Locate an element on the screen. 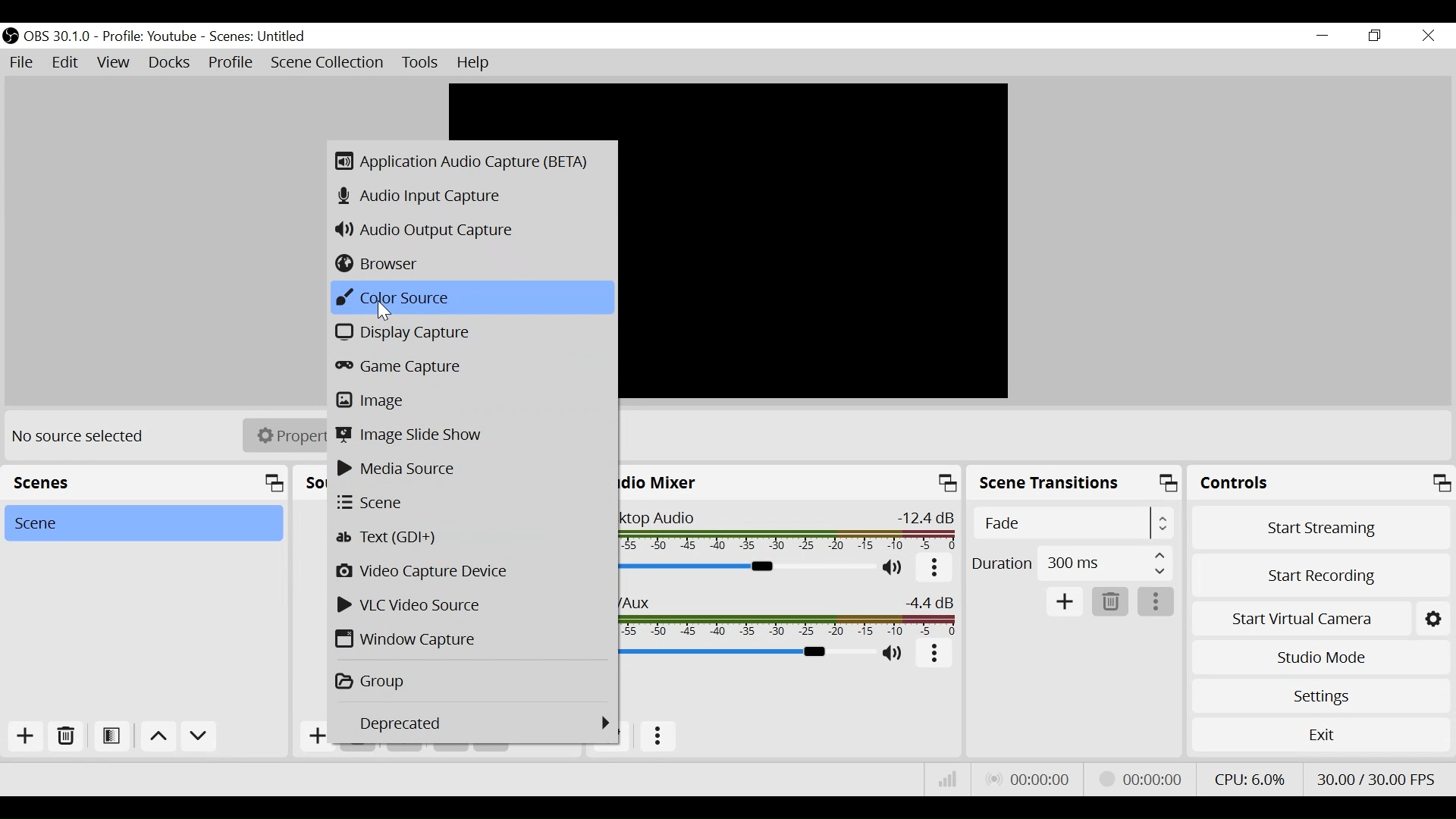  No source selected is located at coordinates (84, 437).